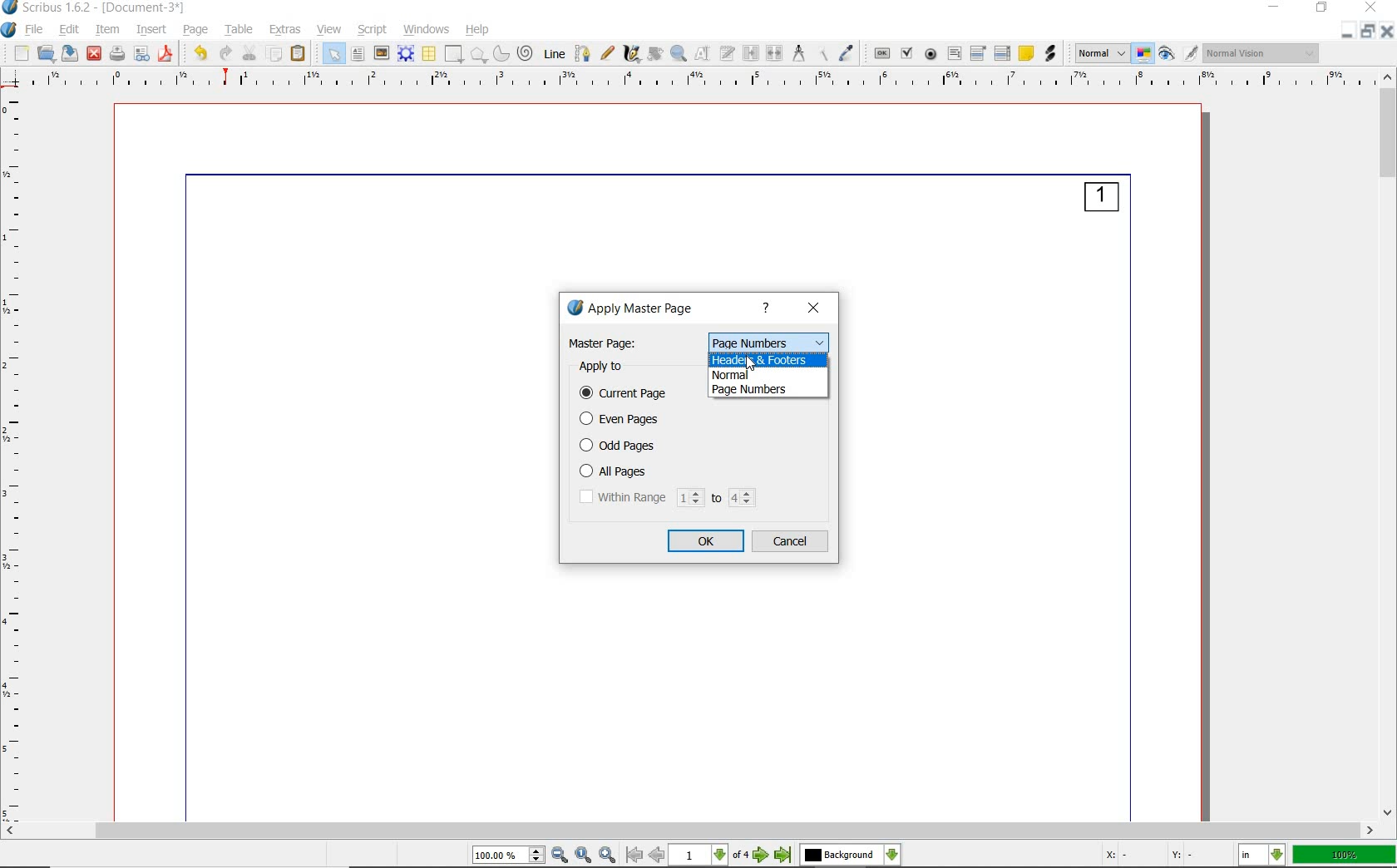  I want to click on zoom out, so click(560, 856).